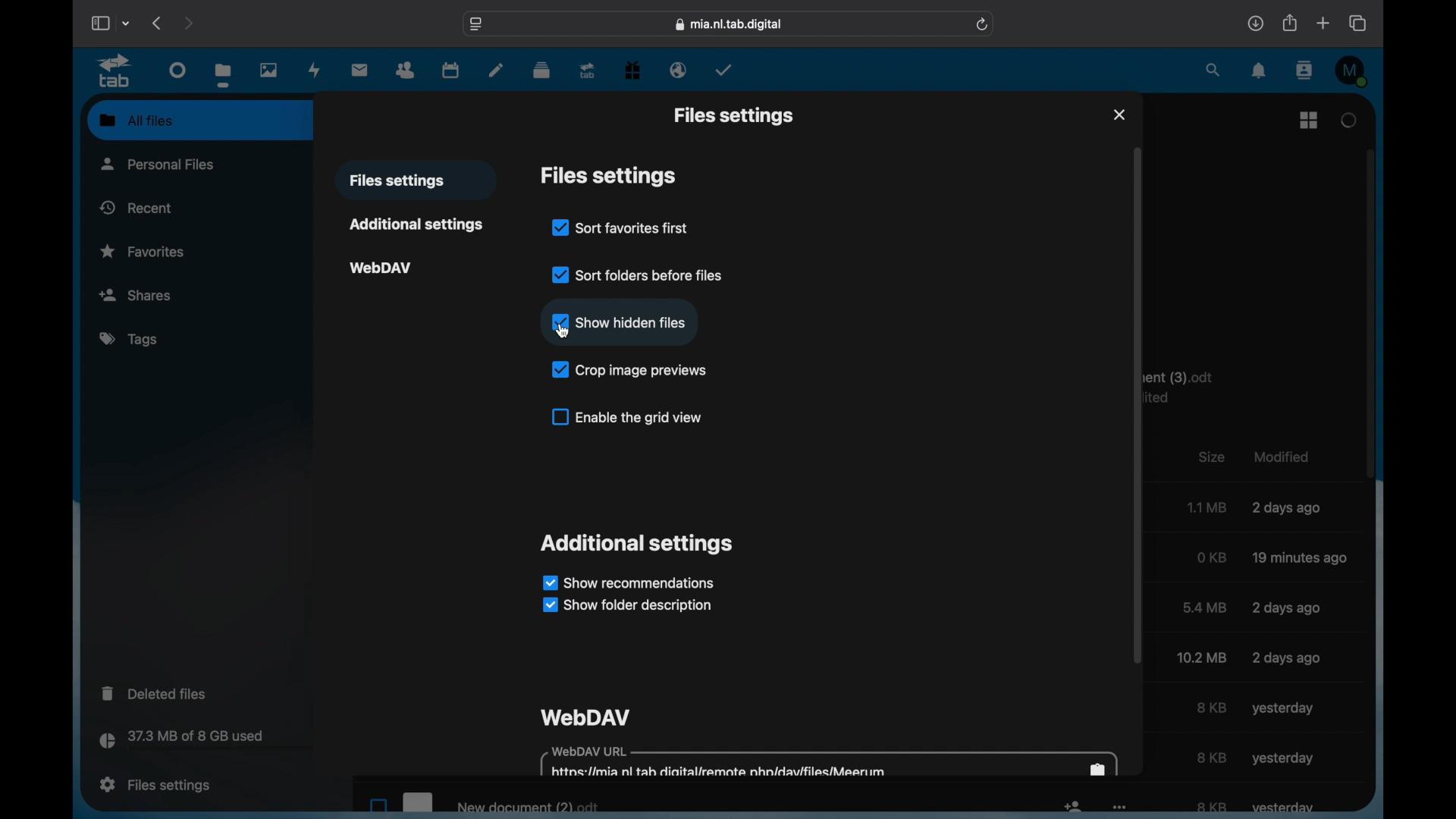  Describe the element at coordinates (158, 24) in the screenshot. I see `previous` at that location.